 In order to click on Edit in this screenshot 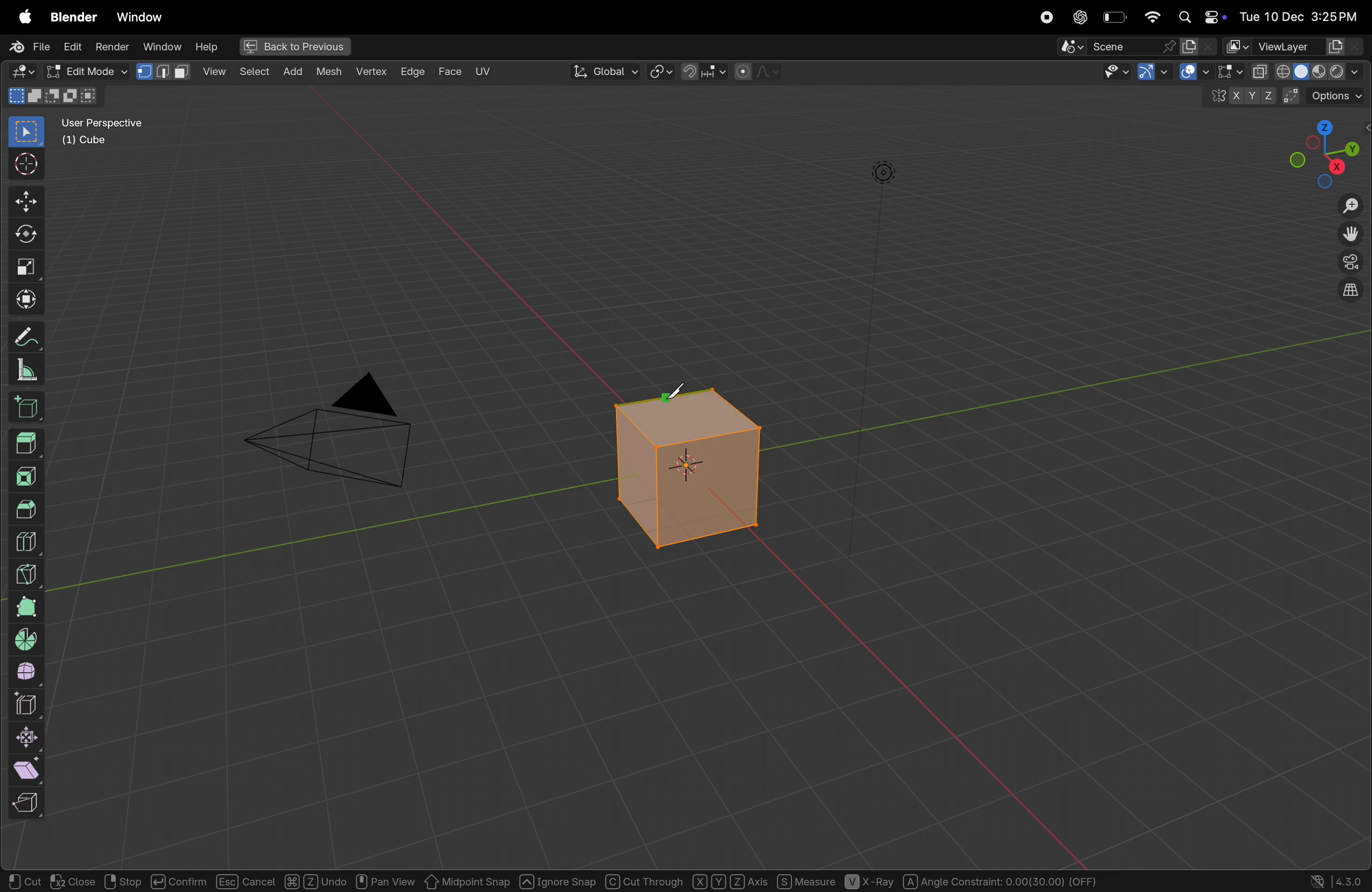, I will do `click(73, 46)`.